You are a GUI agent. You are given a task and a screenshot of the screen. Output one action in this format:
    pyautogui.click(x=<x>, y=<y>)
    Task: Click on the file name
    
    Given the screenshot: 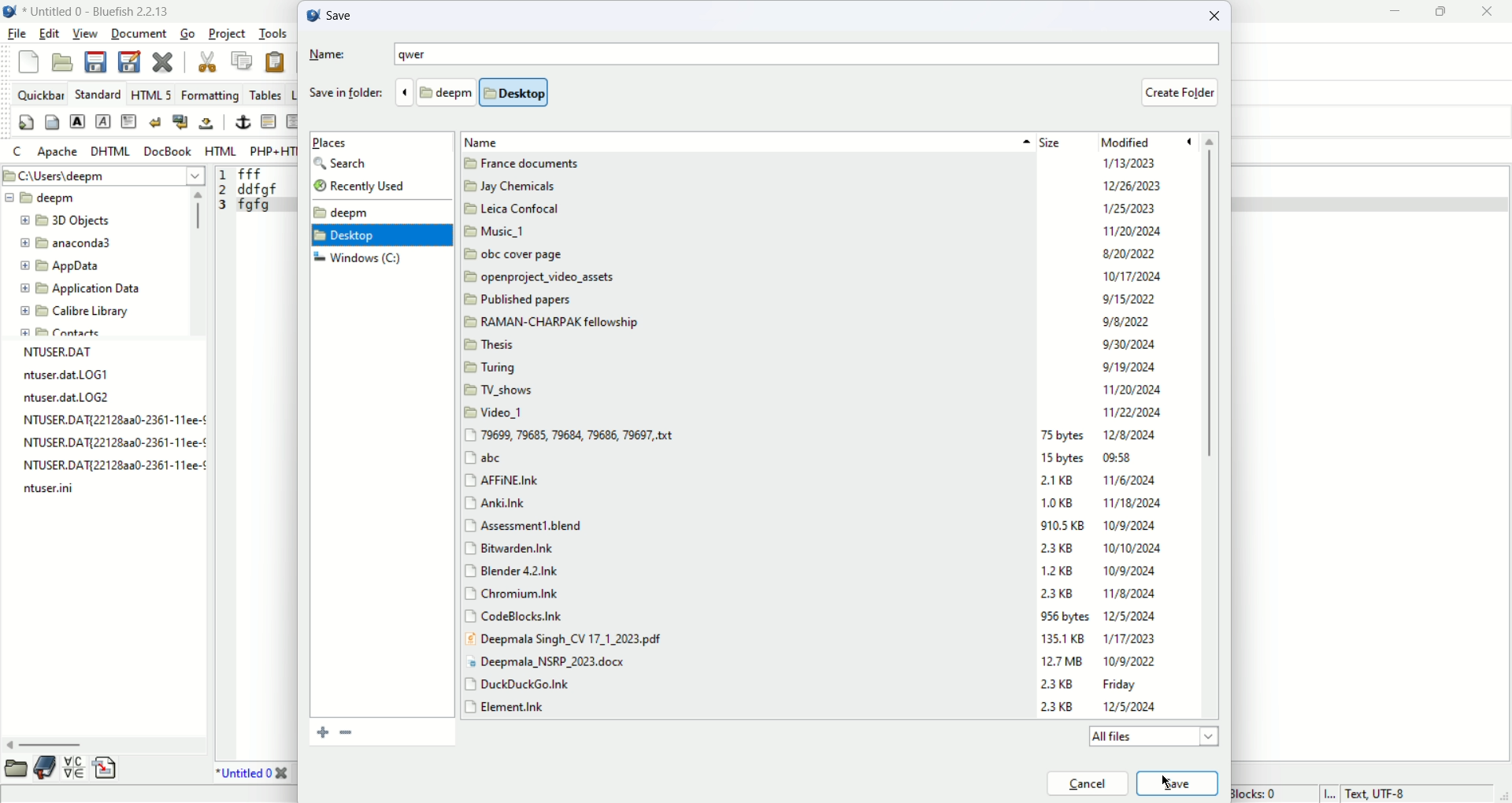 What is the action you would take?
    pyautogui.click(x=77, y=376)
    